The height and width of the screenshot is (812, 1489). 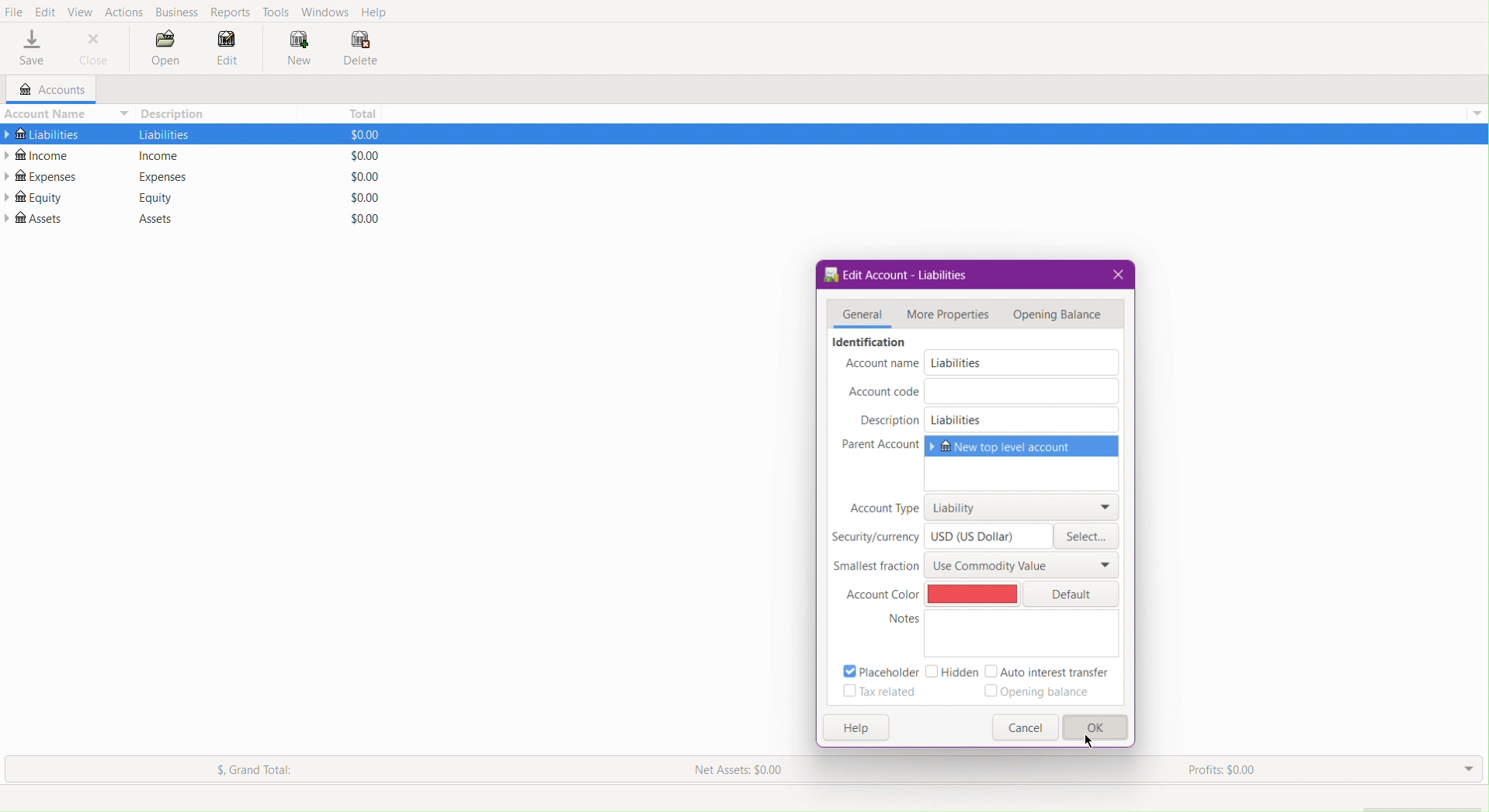 What do you see at coordinates (952, 674) in the screenshot?
I see `Hidden` at bounding box center [952, 674].